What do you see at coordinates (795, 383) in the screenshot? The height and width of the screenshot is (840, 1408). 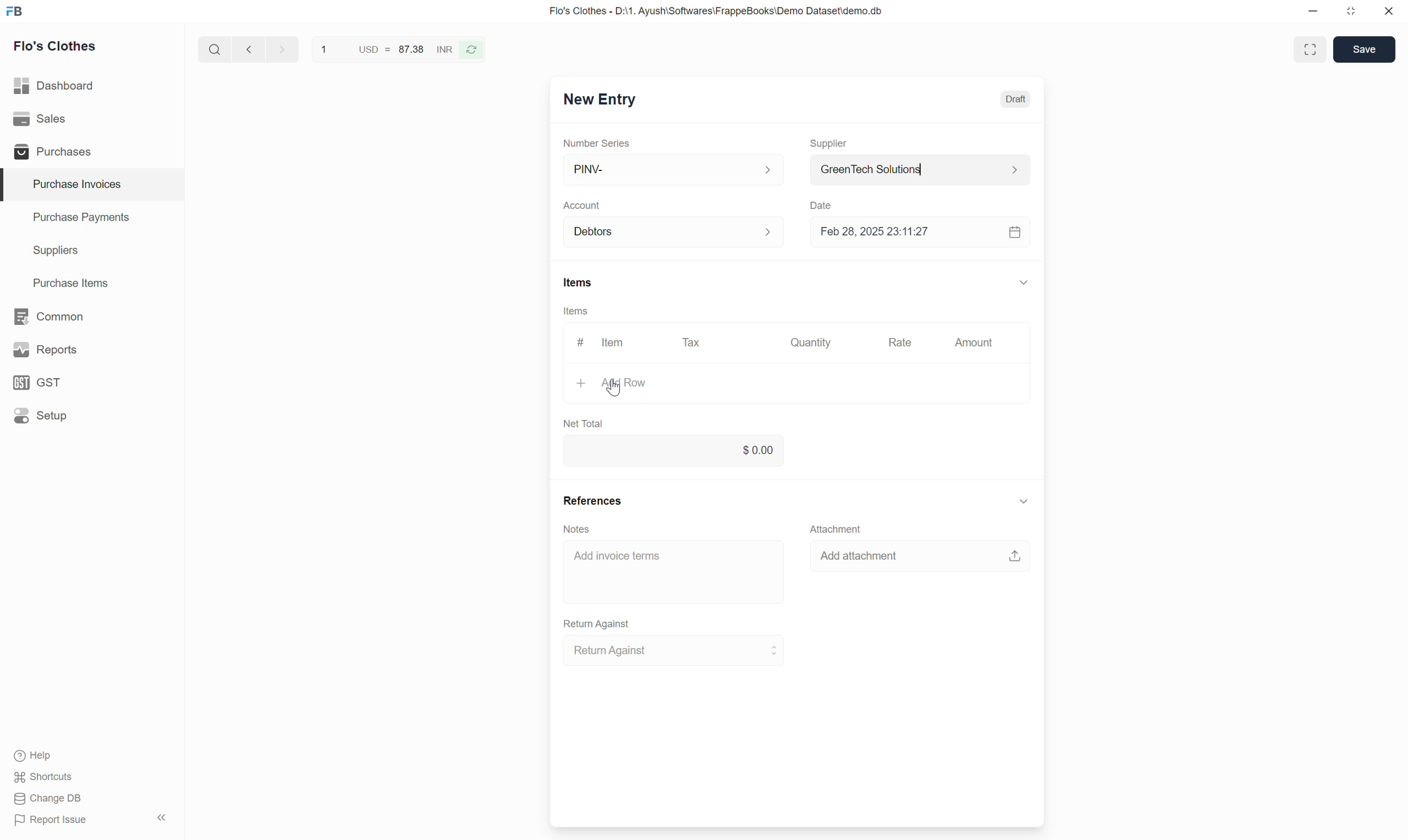 I see `Add Row` at bounding box center [795, 383].